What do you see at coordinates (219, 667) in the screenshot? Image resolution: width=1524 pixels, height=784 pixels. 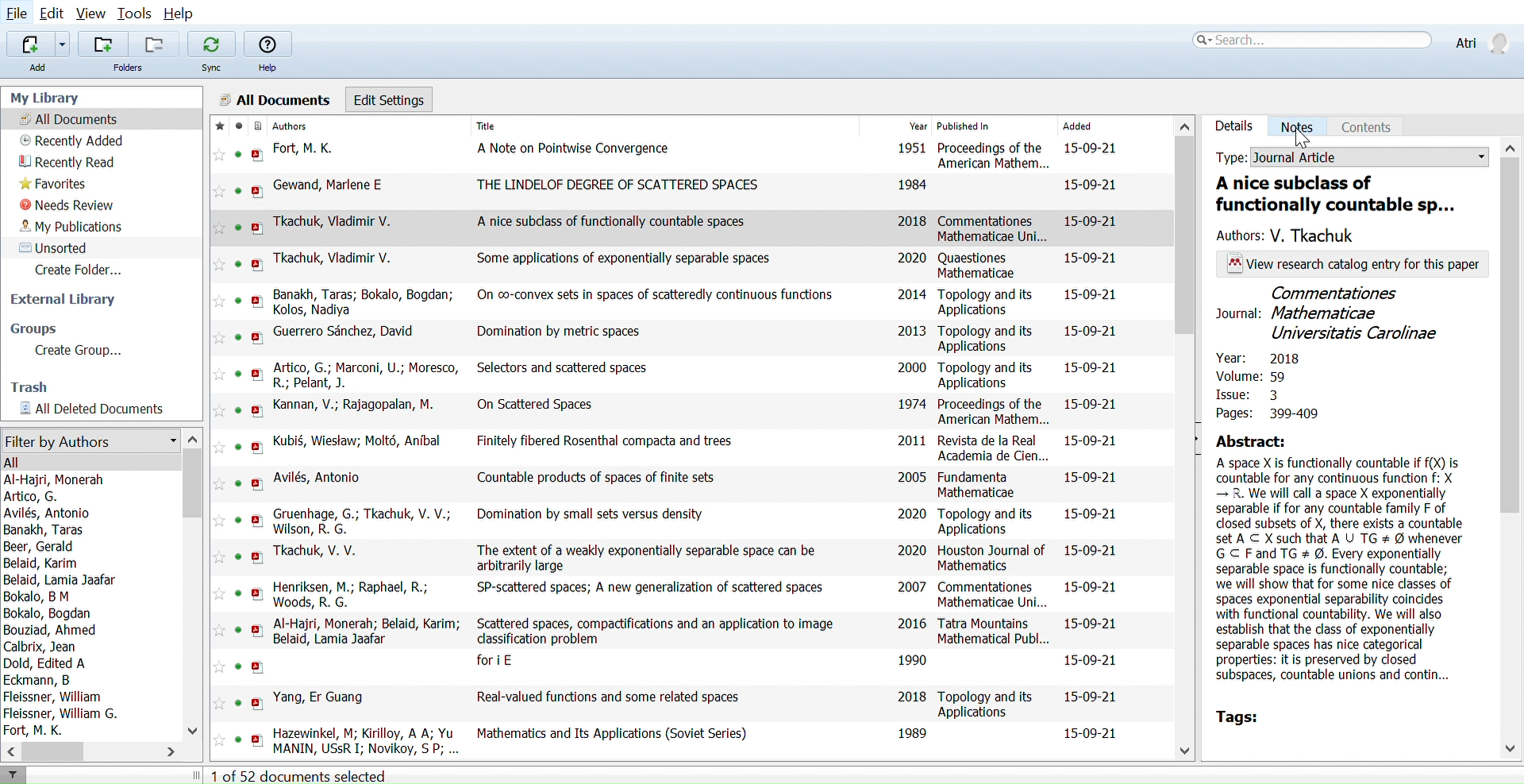 I see `Add this reference to favorites` at bounding box center [219, 667].